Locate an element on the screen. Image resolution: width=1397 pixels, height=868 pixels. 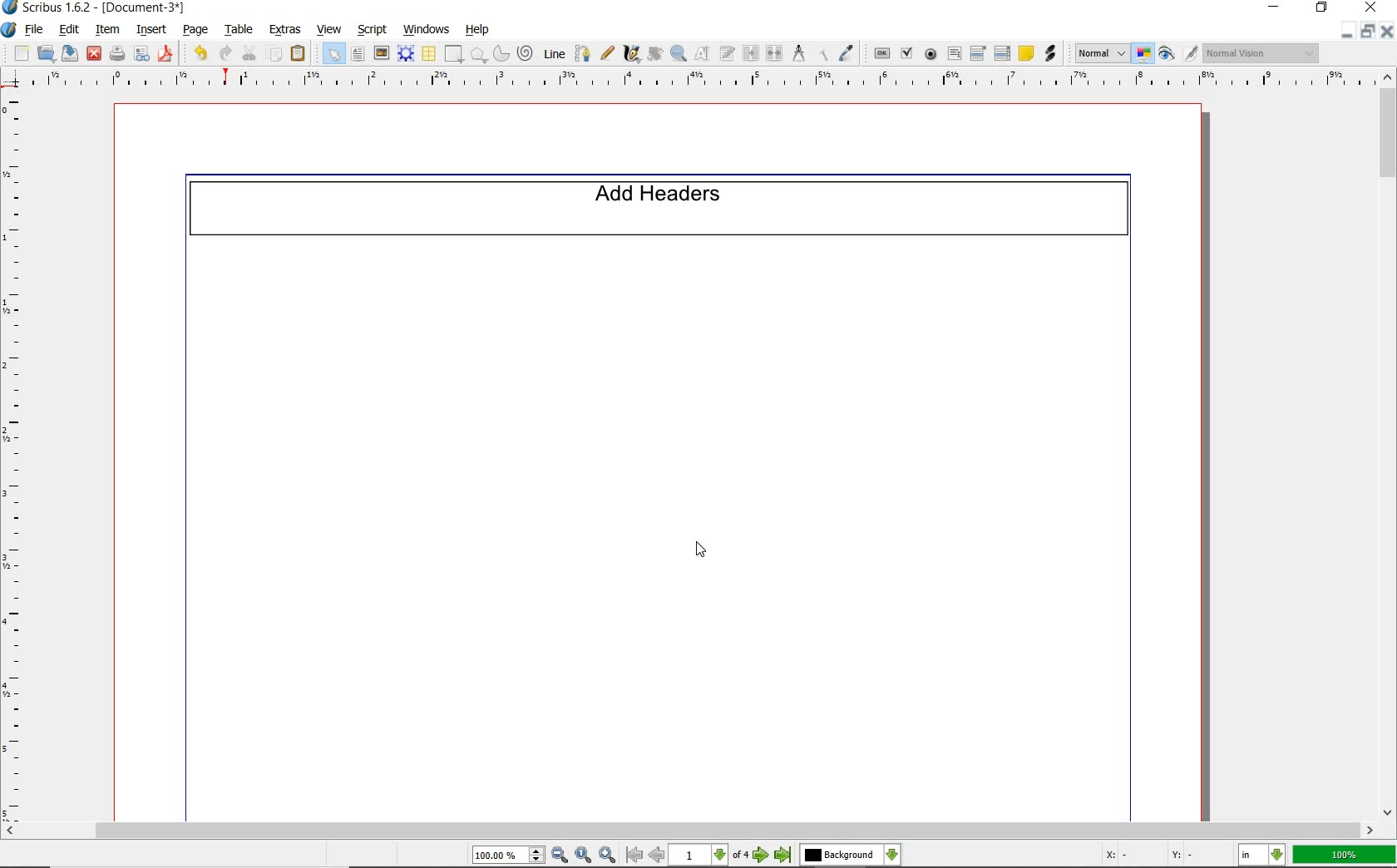
eye dropper is located at coordinates (848, 54).